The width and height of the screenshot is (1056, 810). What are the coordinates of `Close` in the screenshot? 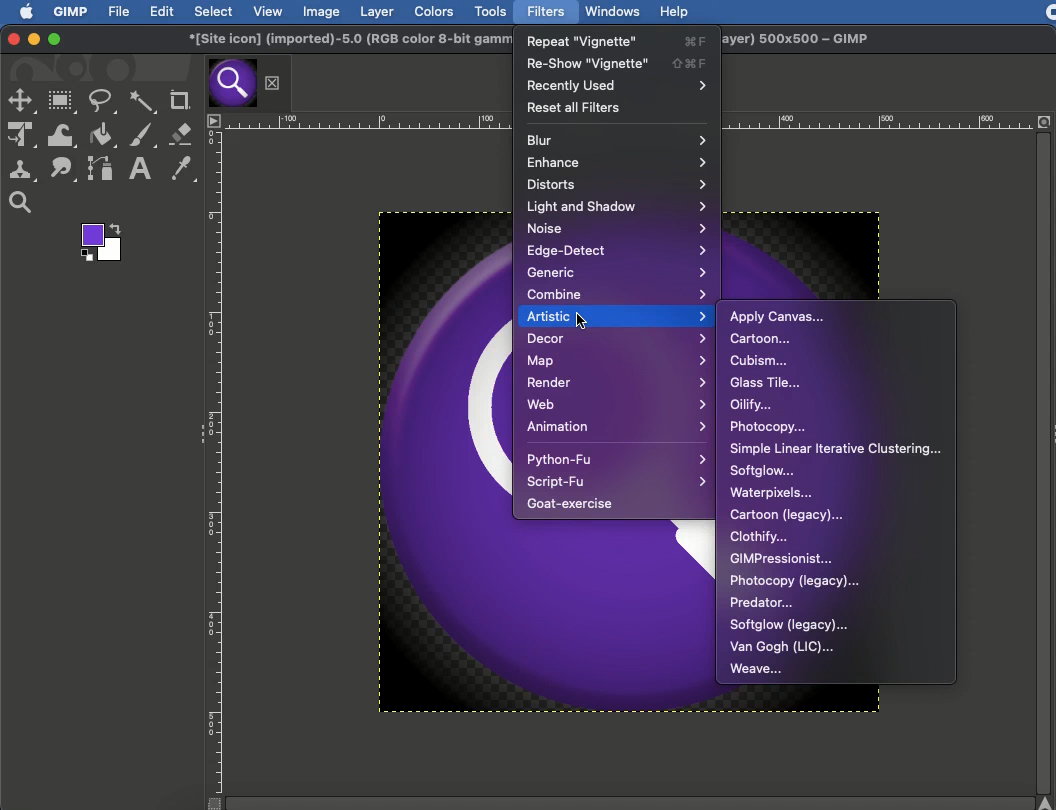 It's located at (272, 81).